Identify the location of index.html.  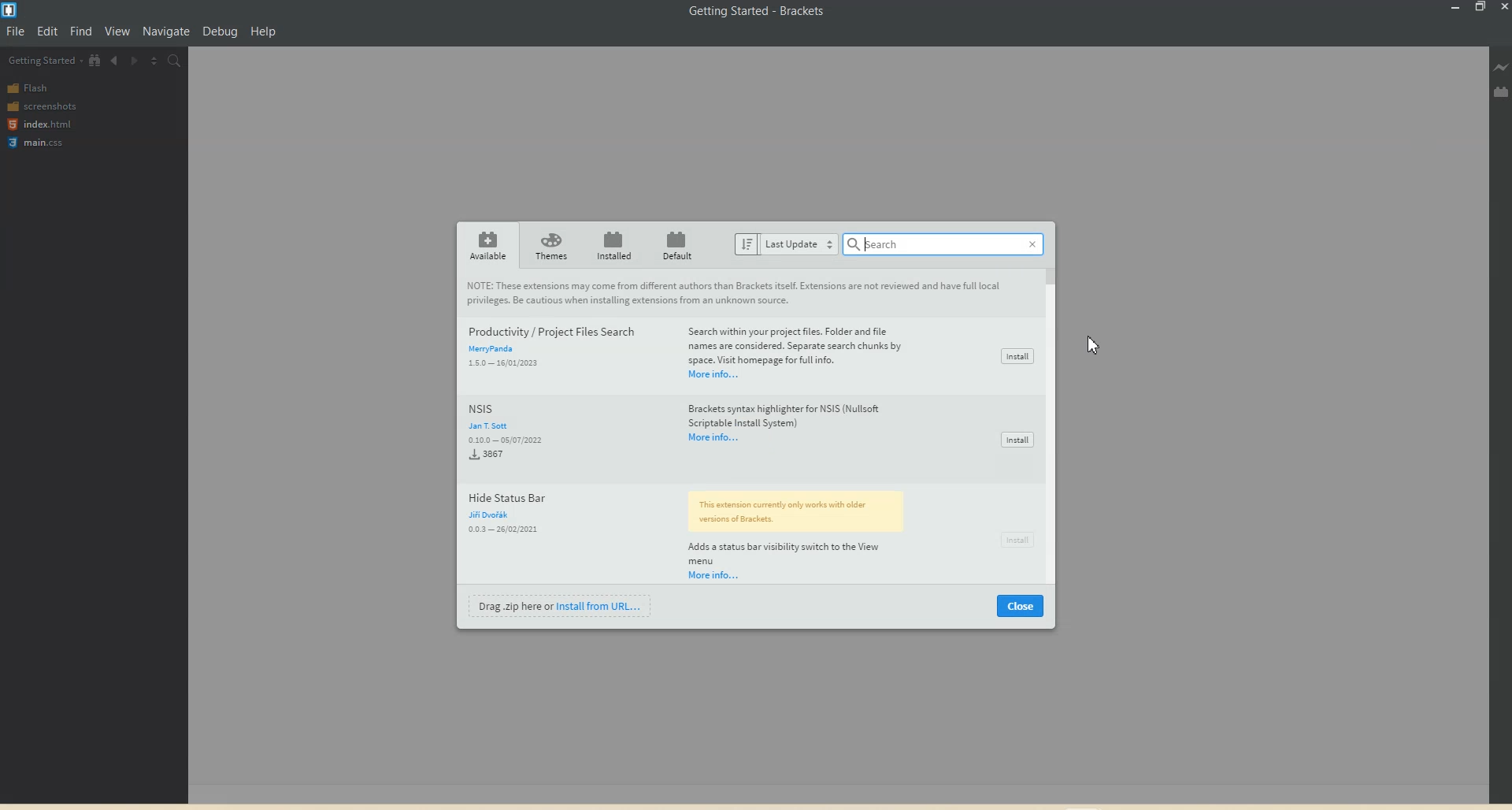
(39, 124).